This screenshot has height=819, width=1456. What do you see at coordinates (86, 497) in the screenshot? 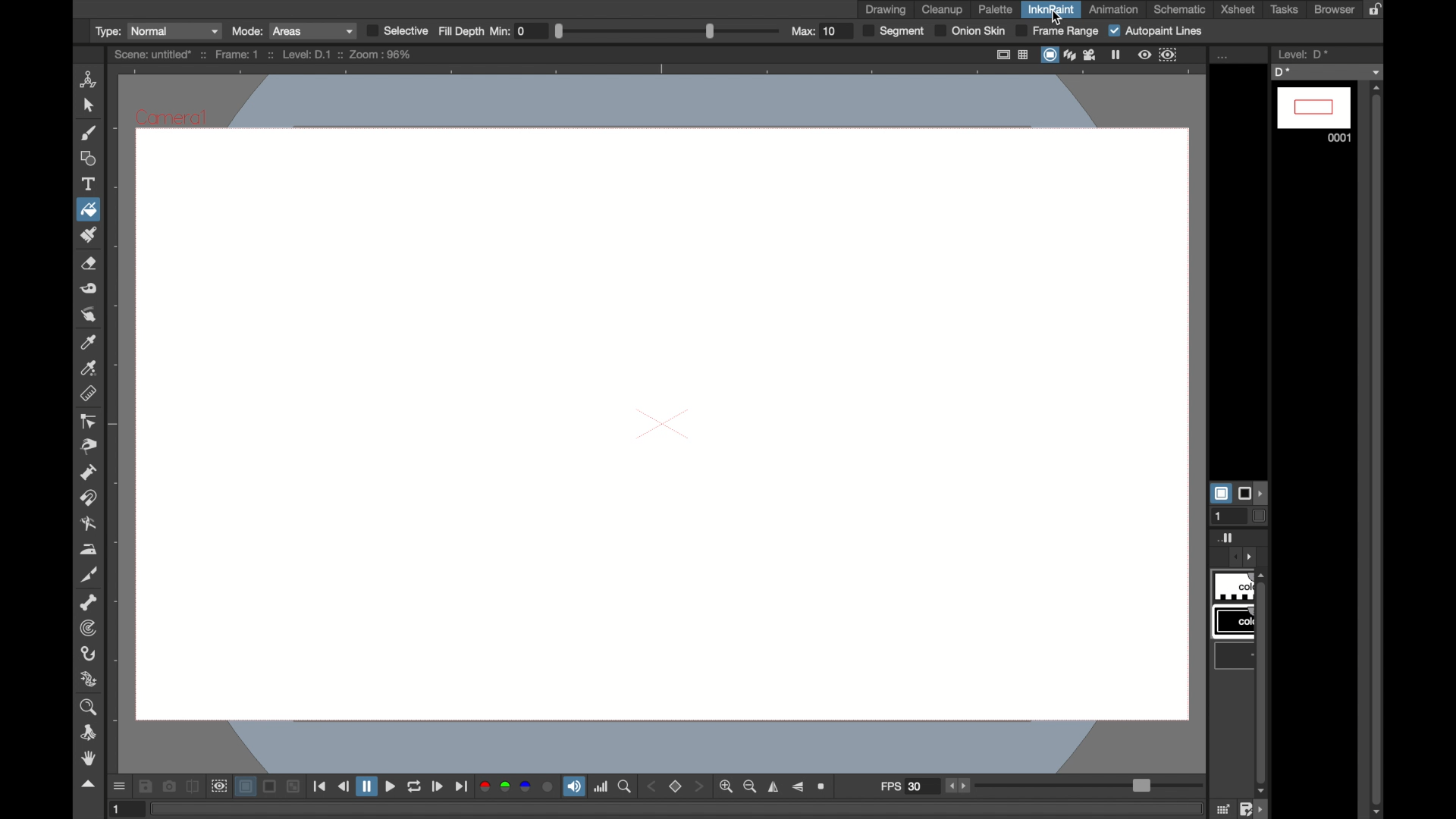
I see `magnet tool` at bounding box center [86, 497].